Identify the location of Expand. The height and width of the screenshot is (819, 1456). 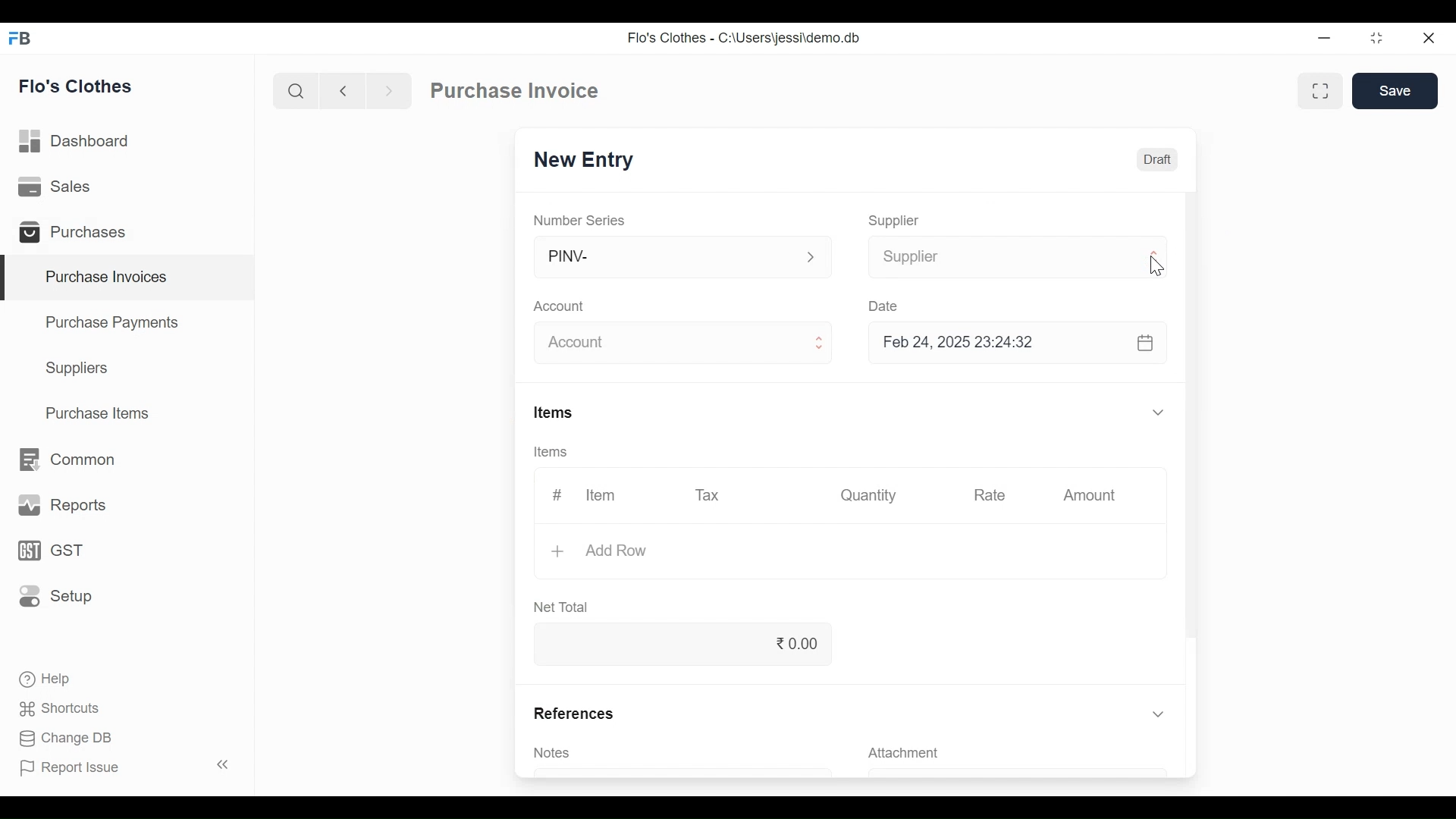
(1156, 261).